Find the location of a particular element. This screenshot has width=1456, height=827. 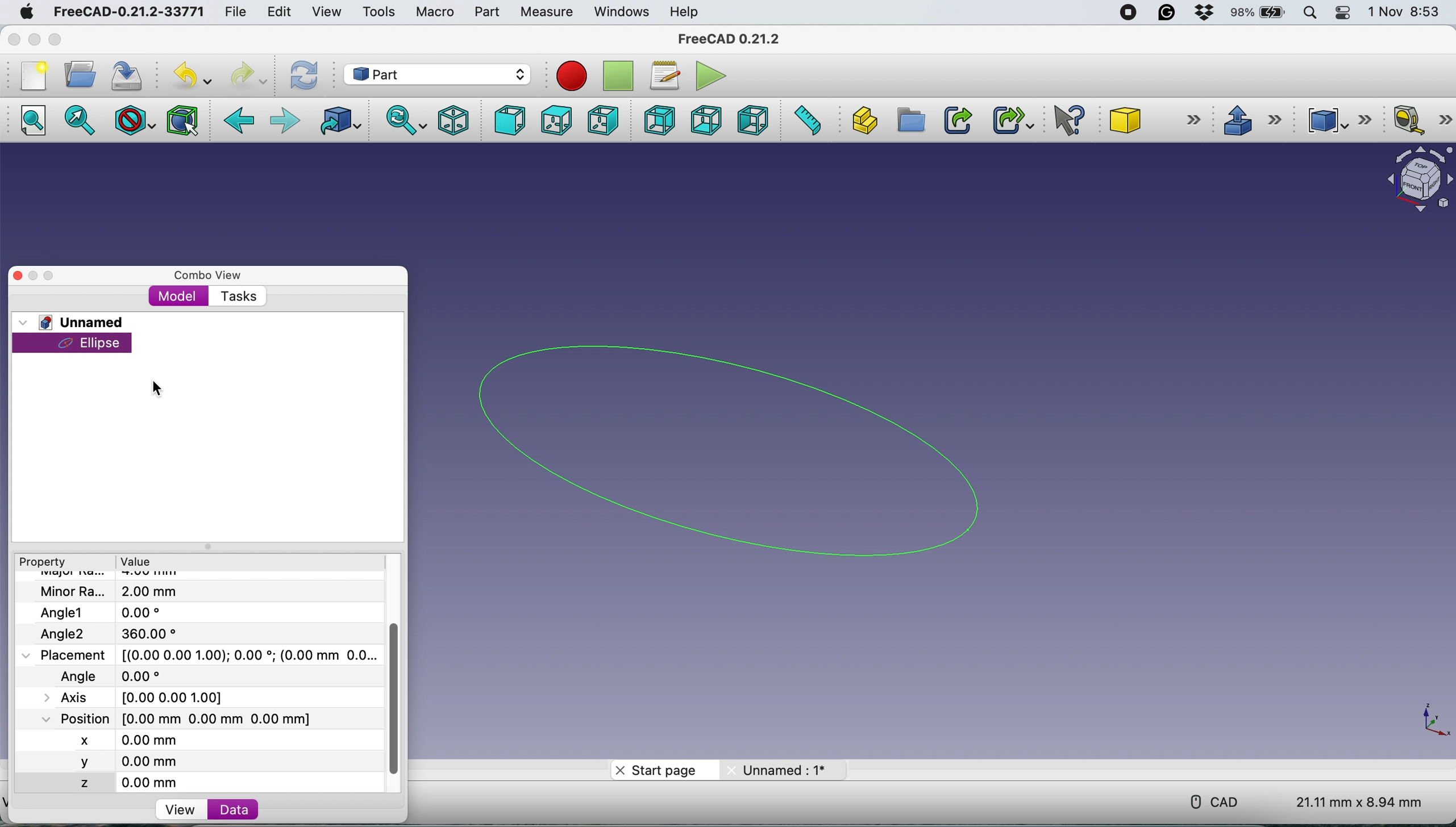

unnamed is located at coordinates (77, 322).